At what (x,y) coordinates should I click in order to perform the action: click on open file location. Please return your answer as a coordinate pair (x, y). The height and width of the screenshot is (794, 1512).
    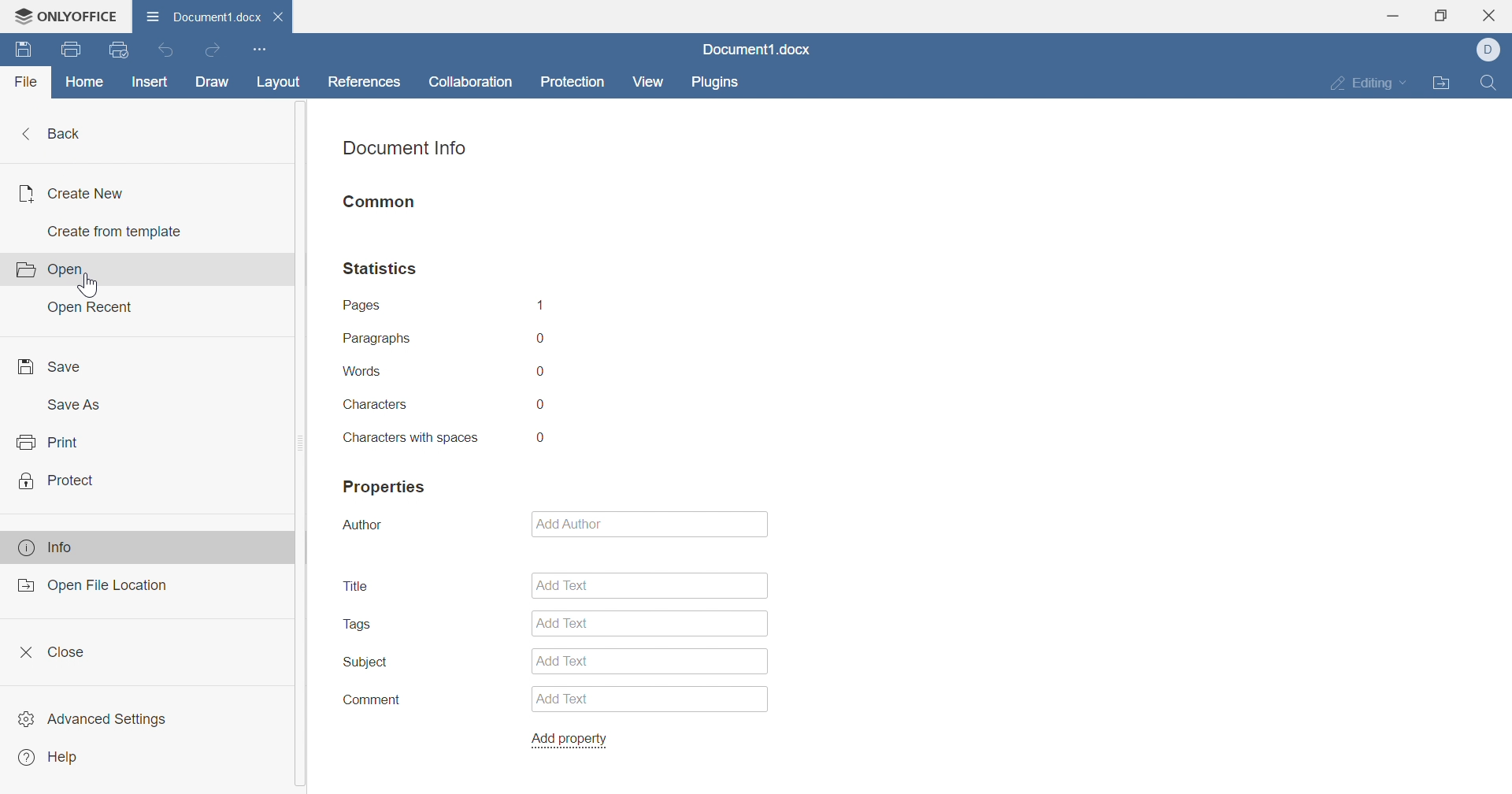
    Looking at the image, I should click on (1440, 84).